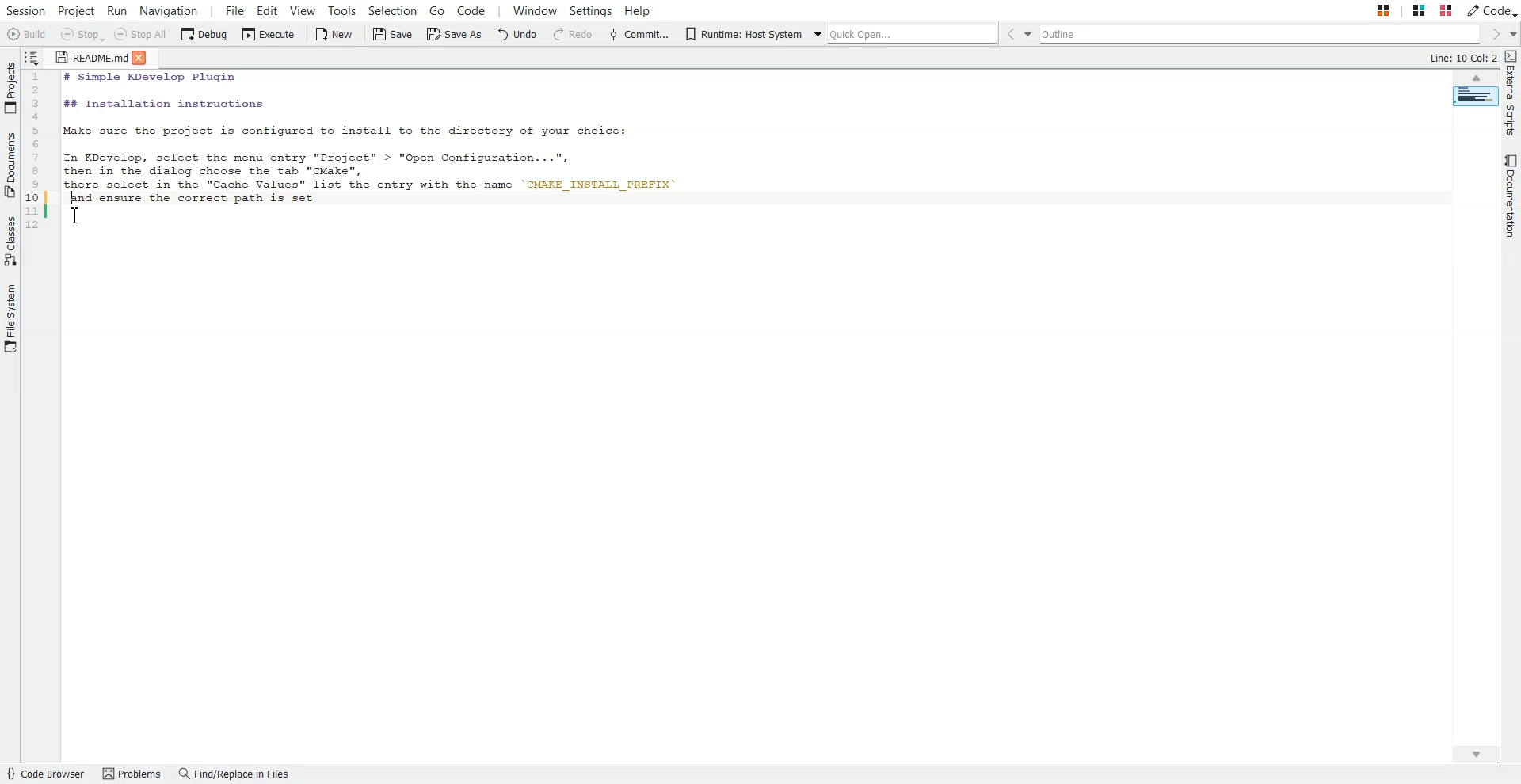 Image resolution: width=1521 pixels, height=784 pixels. What do you see at coordinates (32, 57) in the screenshot?
I see `Show sorted list` at bounding box center [32, 57].